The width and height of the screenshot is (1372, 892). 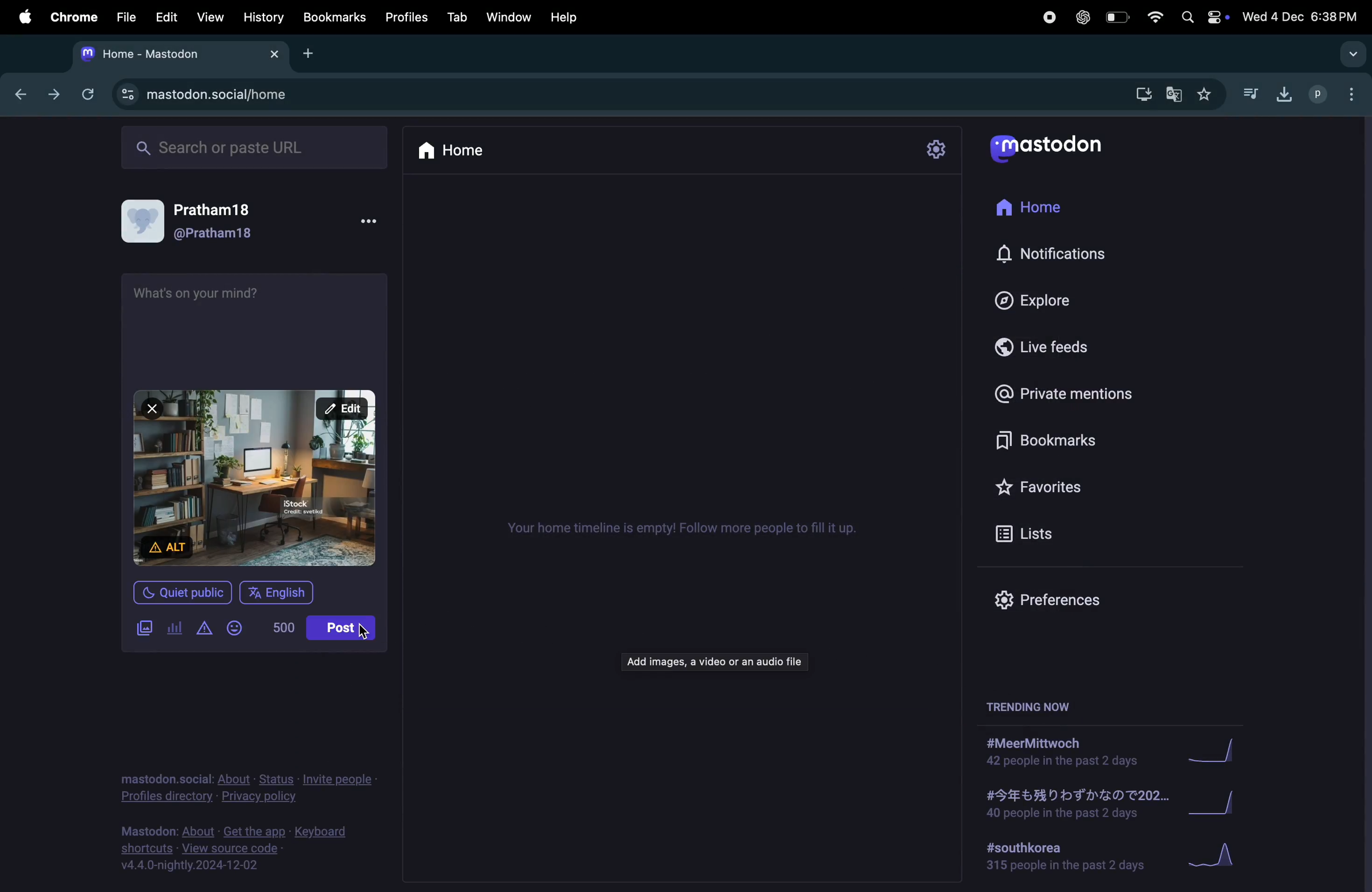 I want to click on search url, so click(x=251, y=148).